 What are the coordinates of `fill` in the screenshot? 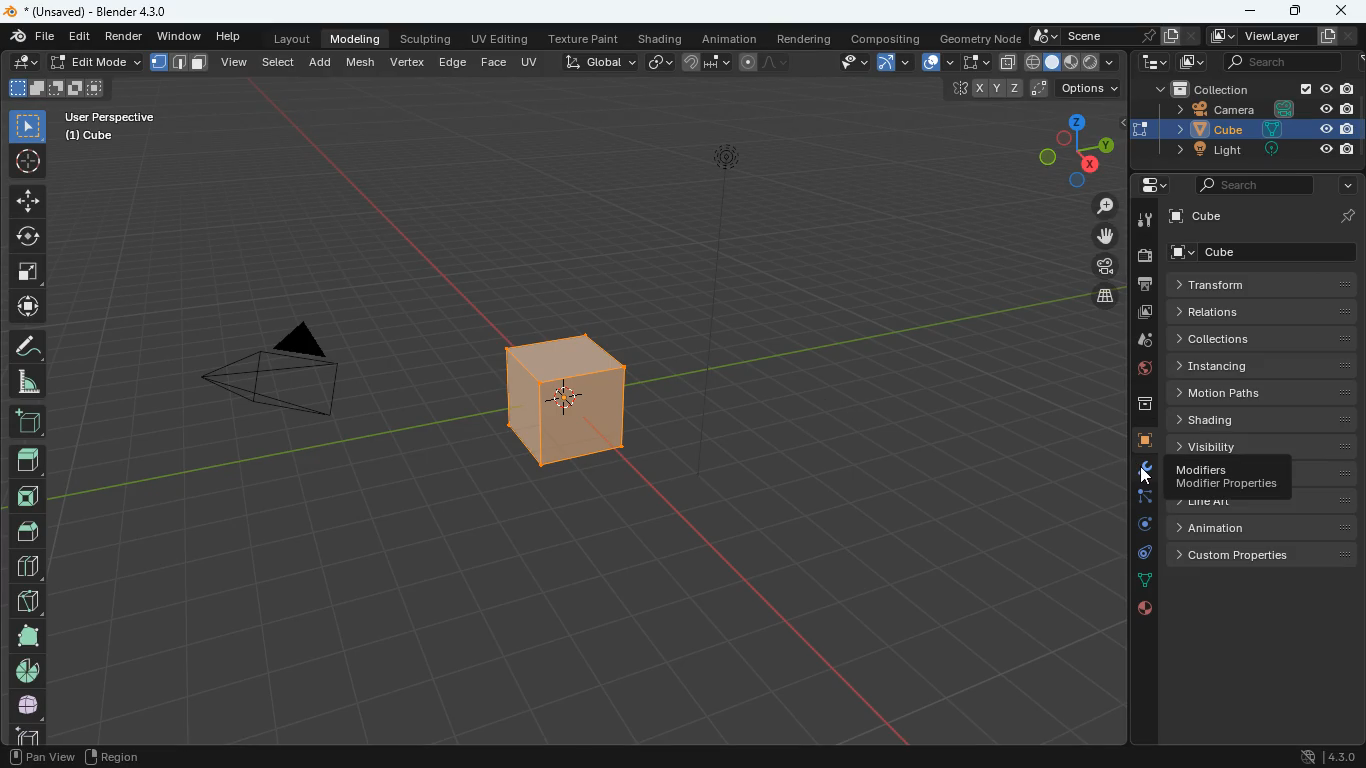 It's located at (1072, 61).